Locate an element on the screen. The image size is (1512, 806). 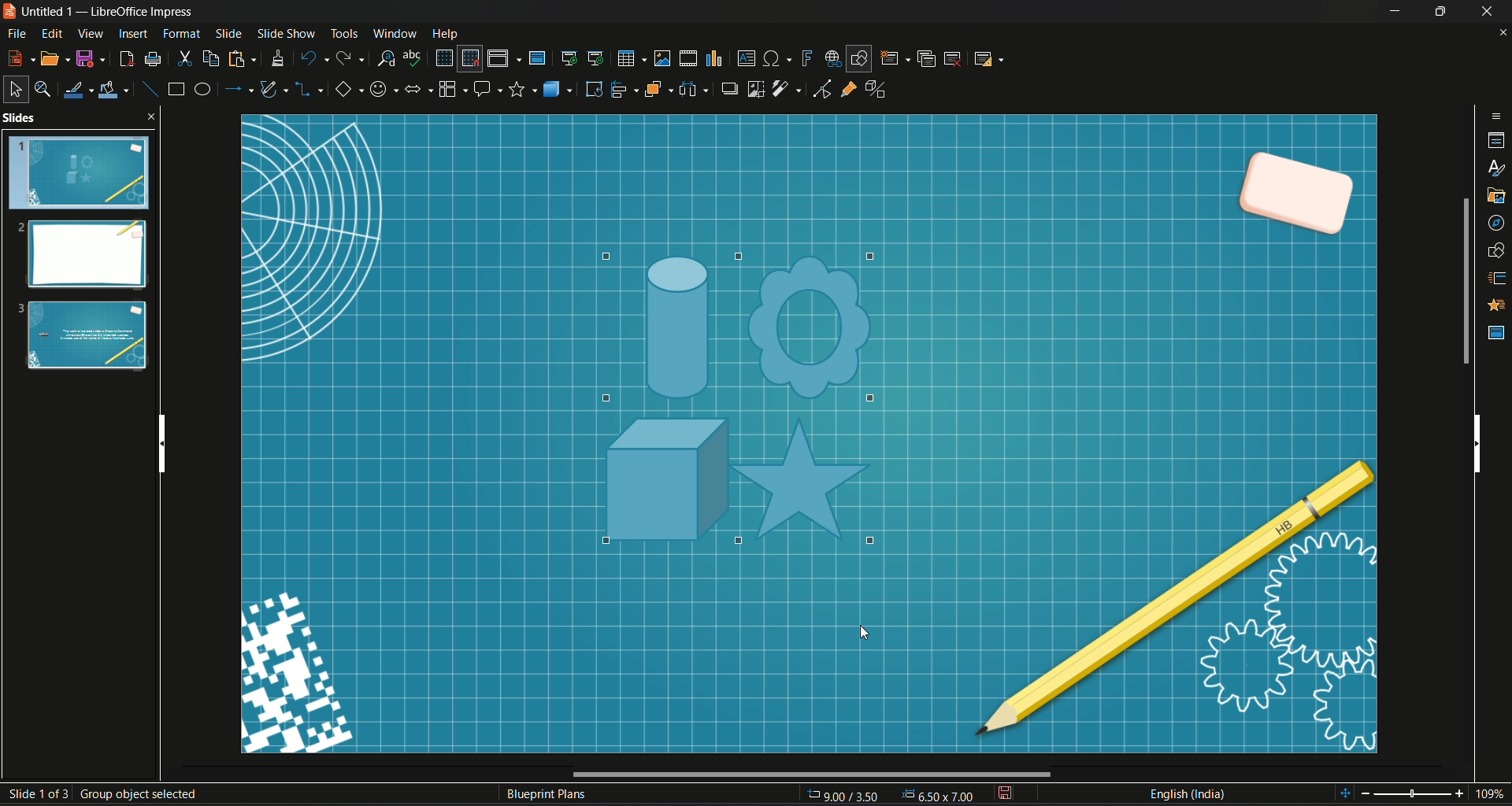
insert image is located at coordinates (662, 57).